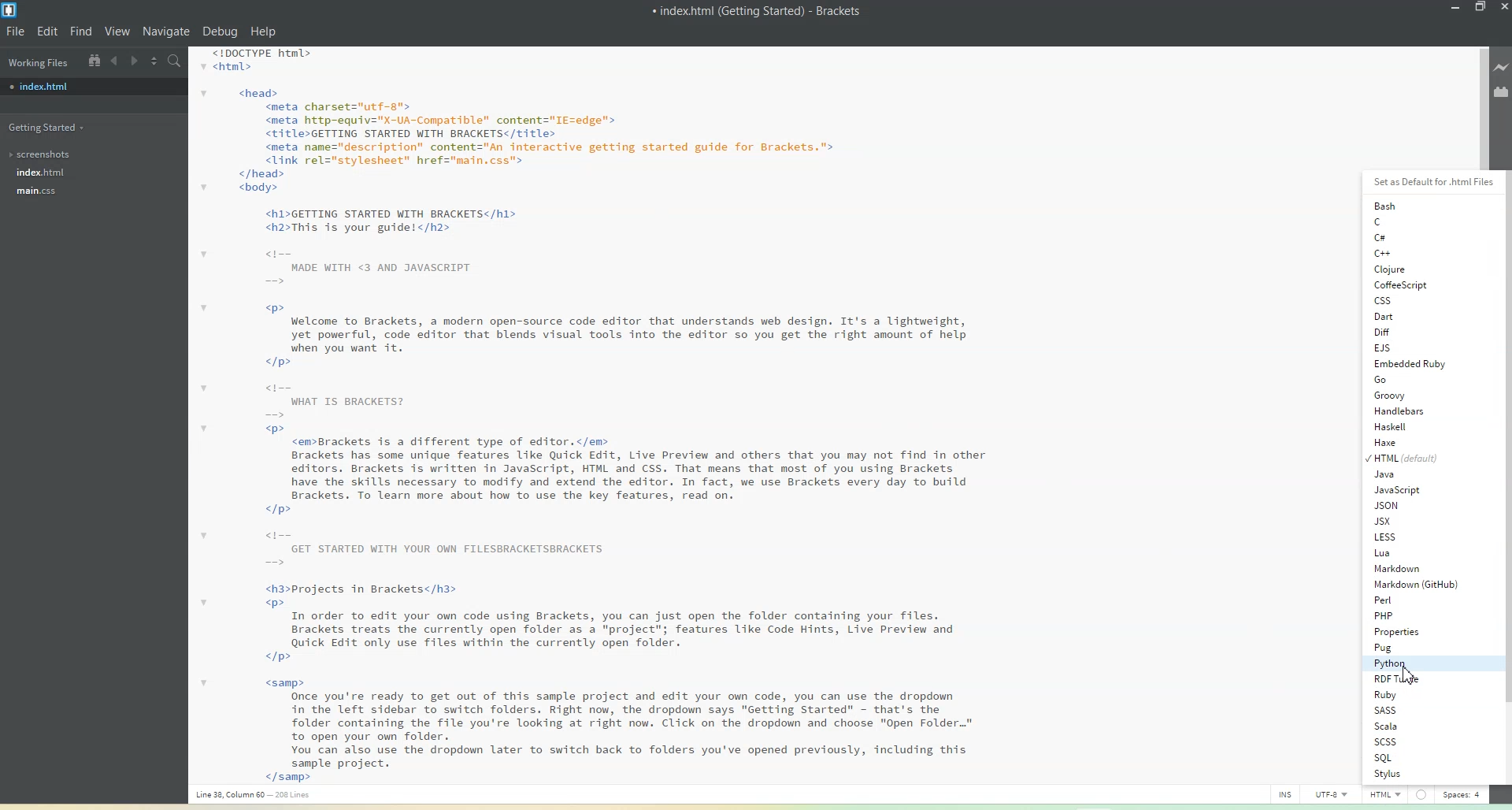  What do you see at coordinates (1336, 793) in the screenshot?
I see `UTF-8` at bounding box center [1336, 793].